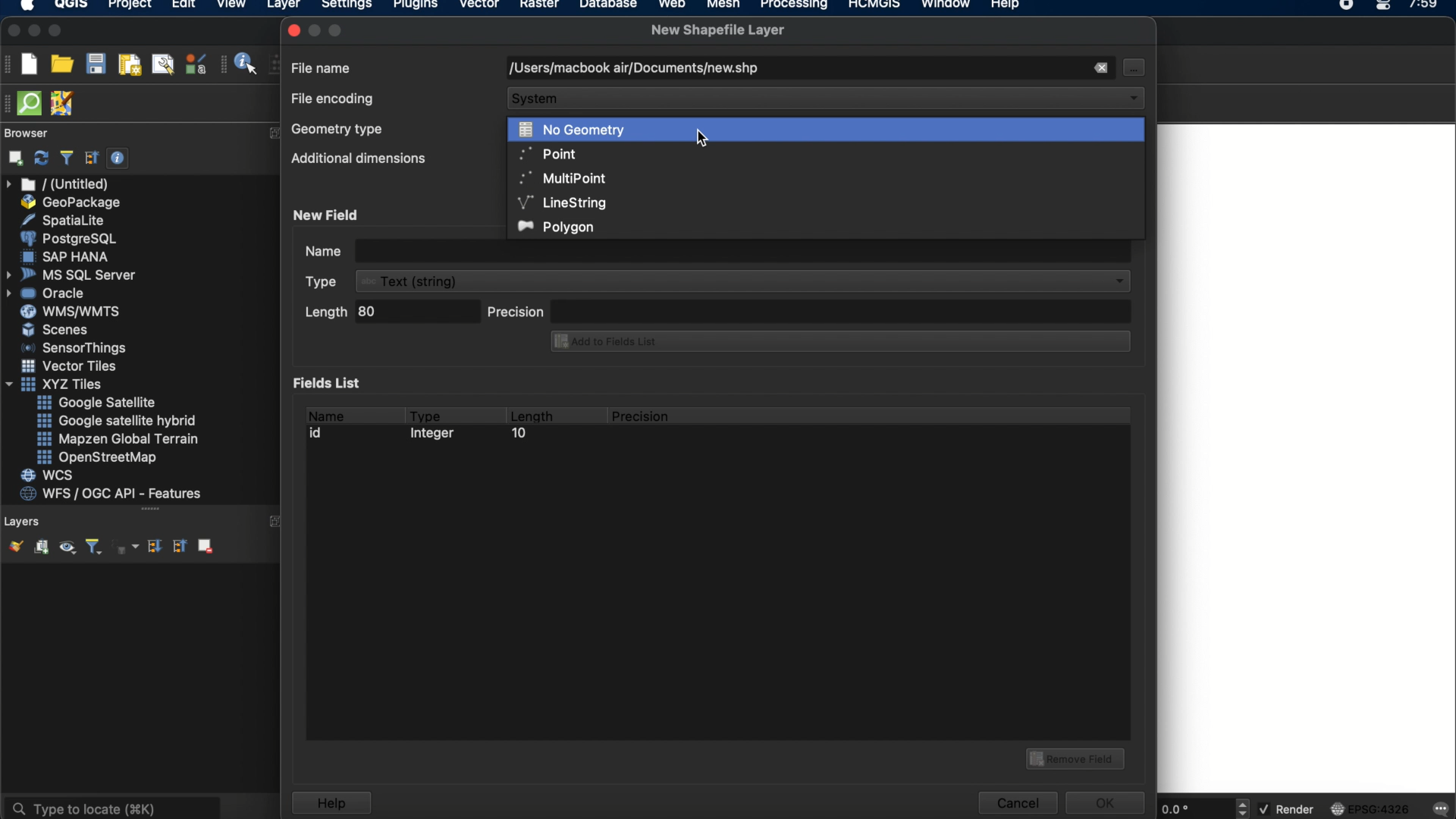 This screenshot has width=1456, height=819. Describe the element at coordinates (69, 202) in the screenshot. I see `geo package` at that location.